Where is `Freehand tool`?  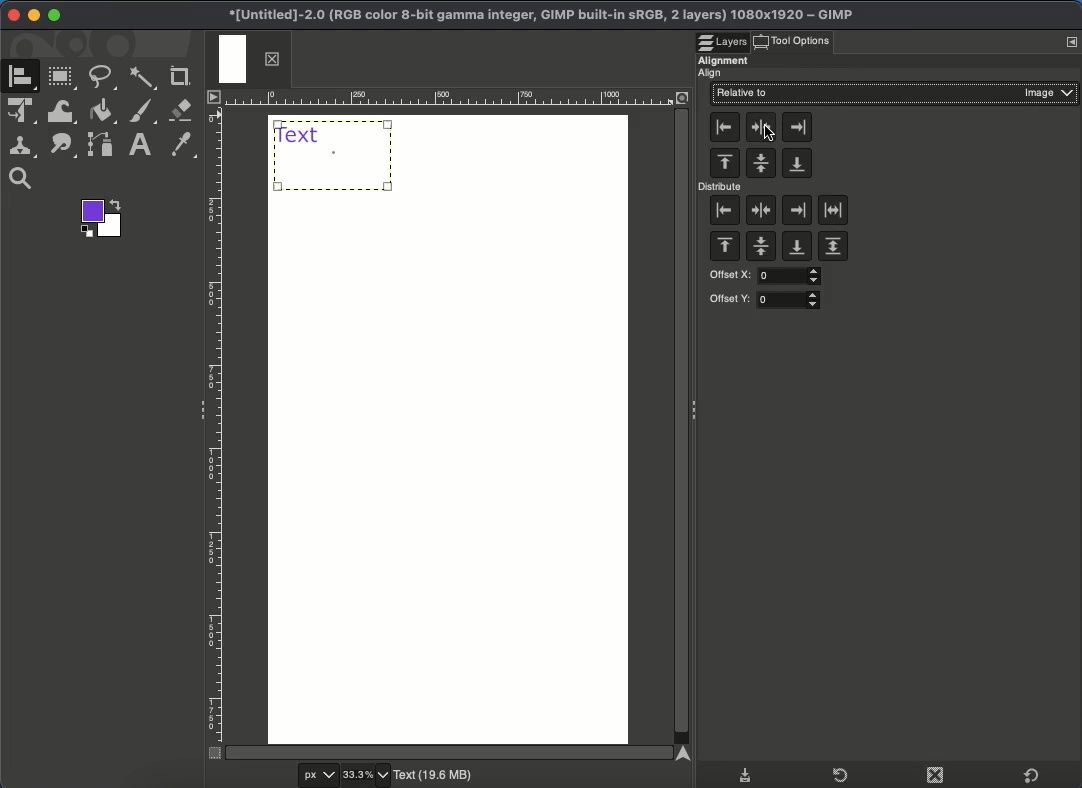
Freehand tool is located at coordinates (104, 79).